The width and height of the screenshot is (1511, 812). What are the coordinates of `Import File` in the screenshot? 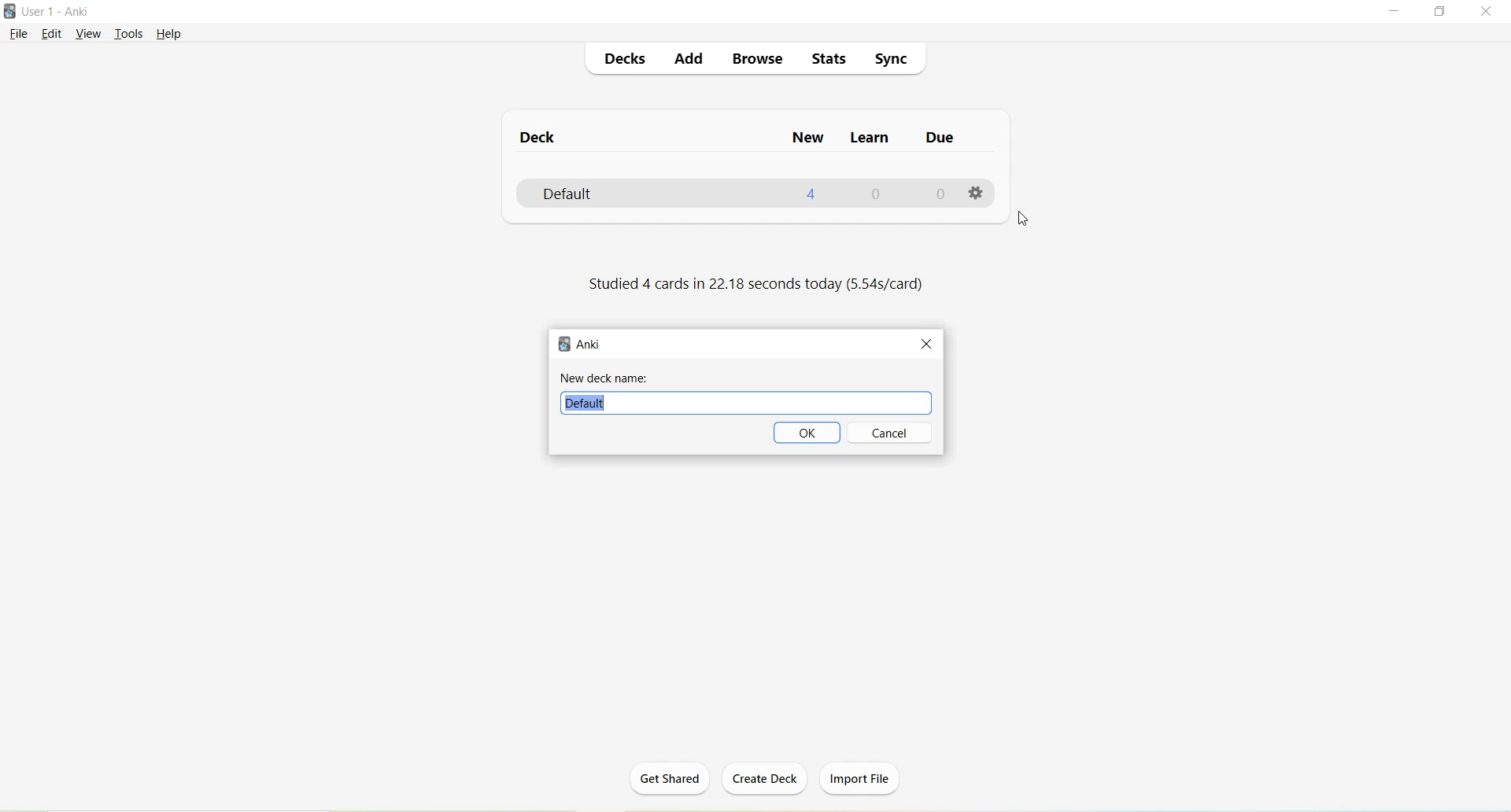 It's located at (861, 778).